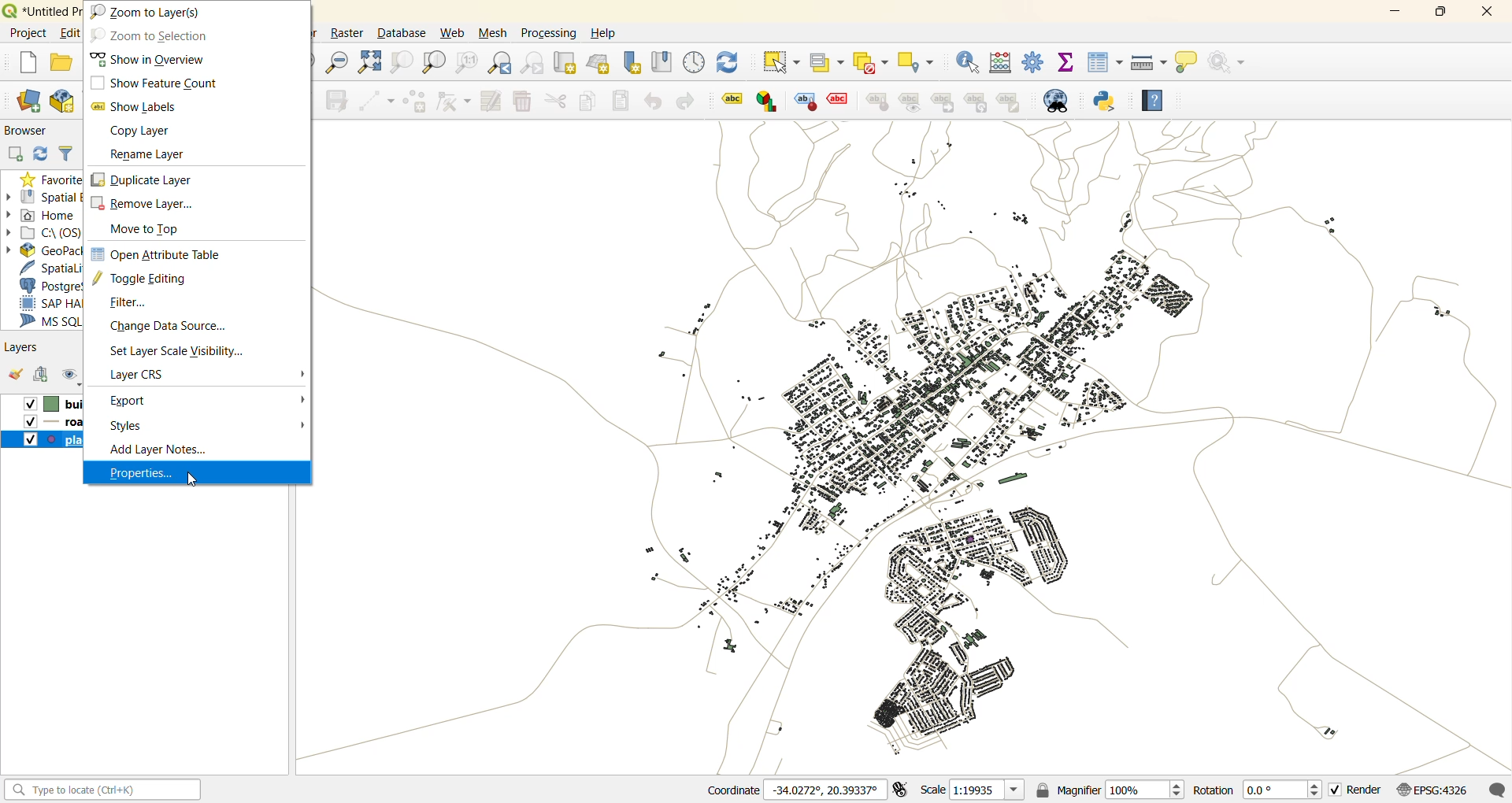 Image resolution: width=1512 pixels, height=803 pixels. What do you see at coordinates (693, 61) in the screenshot?
I see `control panel` at bounding box center [693, 61].